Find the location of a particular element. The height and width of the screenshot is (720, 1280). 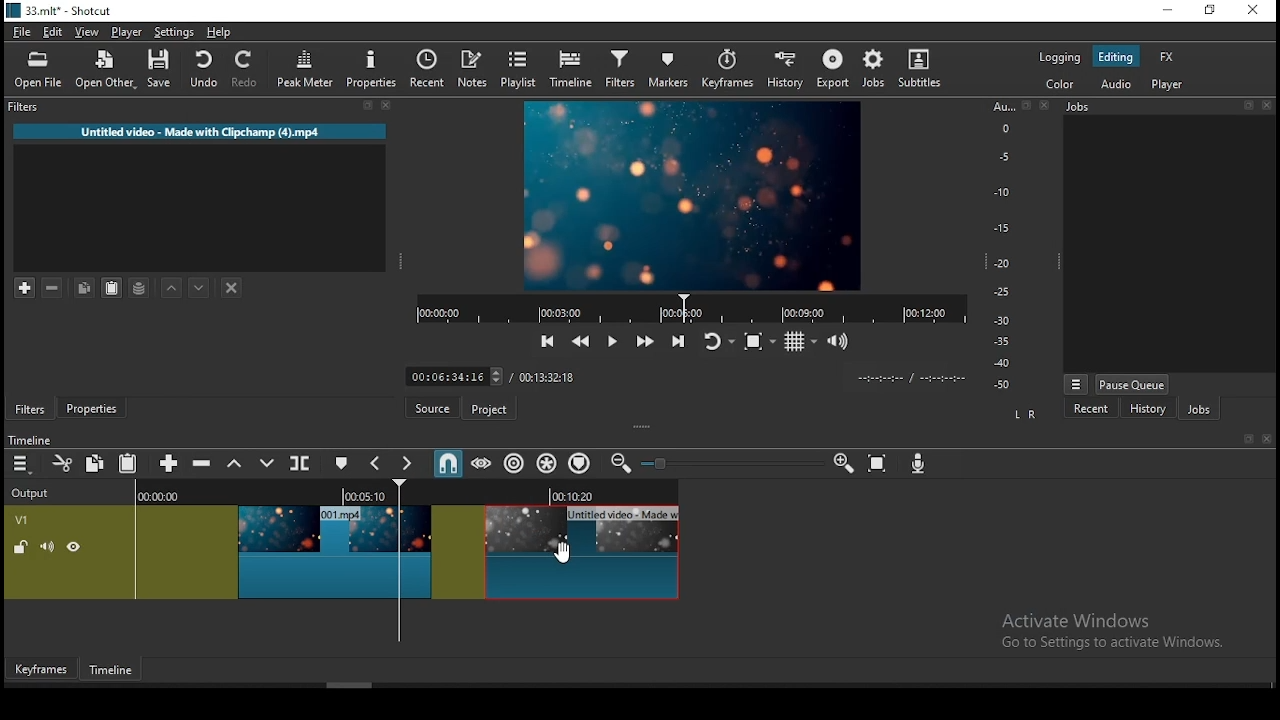

audio bar is located at coordinates (1002, 246).